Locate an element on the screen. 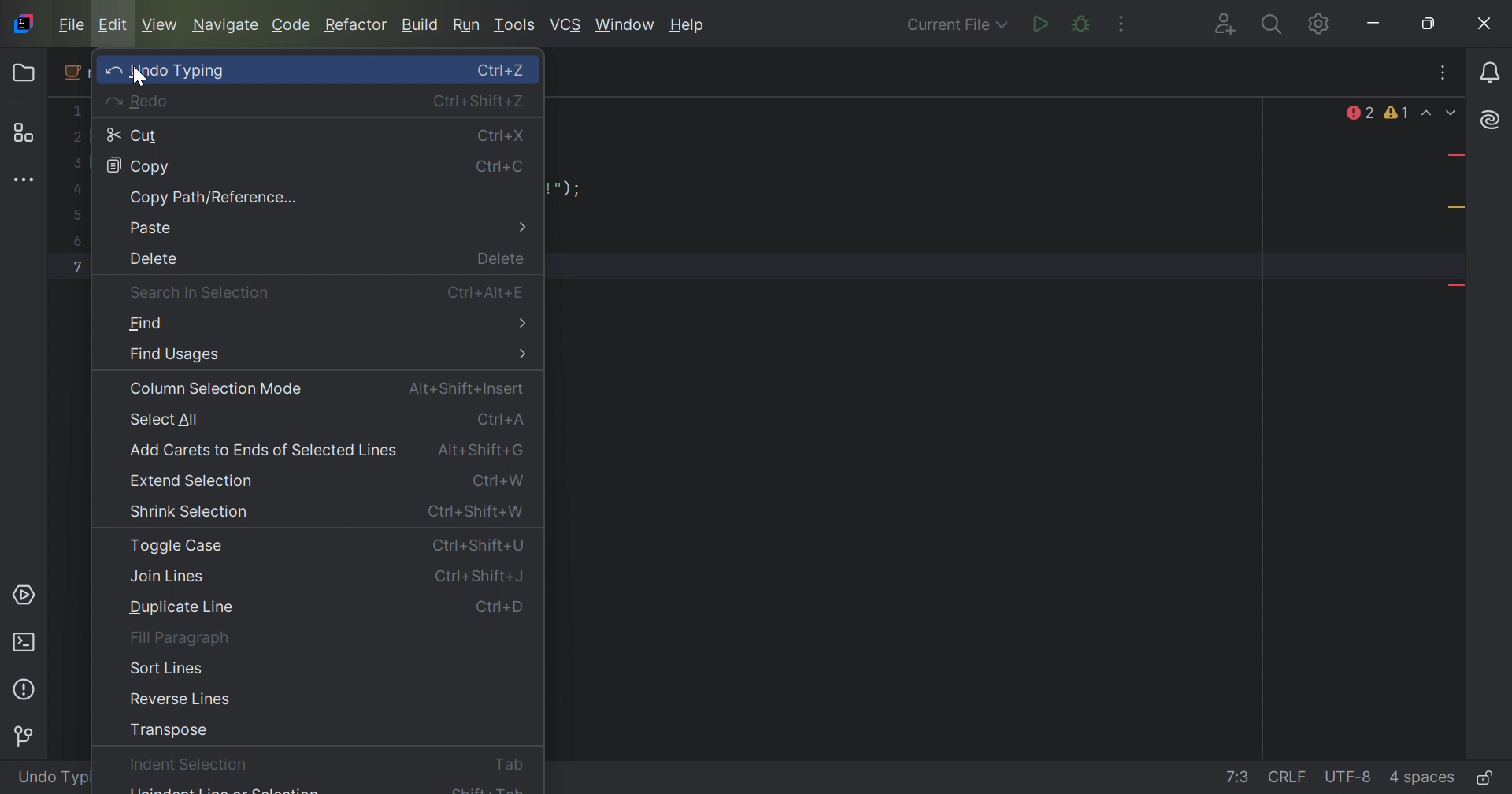 The height and width of the screenshot is (794, 1512). Duplicate Line is located at coordinates (185, 609).